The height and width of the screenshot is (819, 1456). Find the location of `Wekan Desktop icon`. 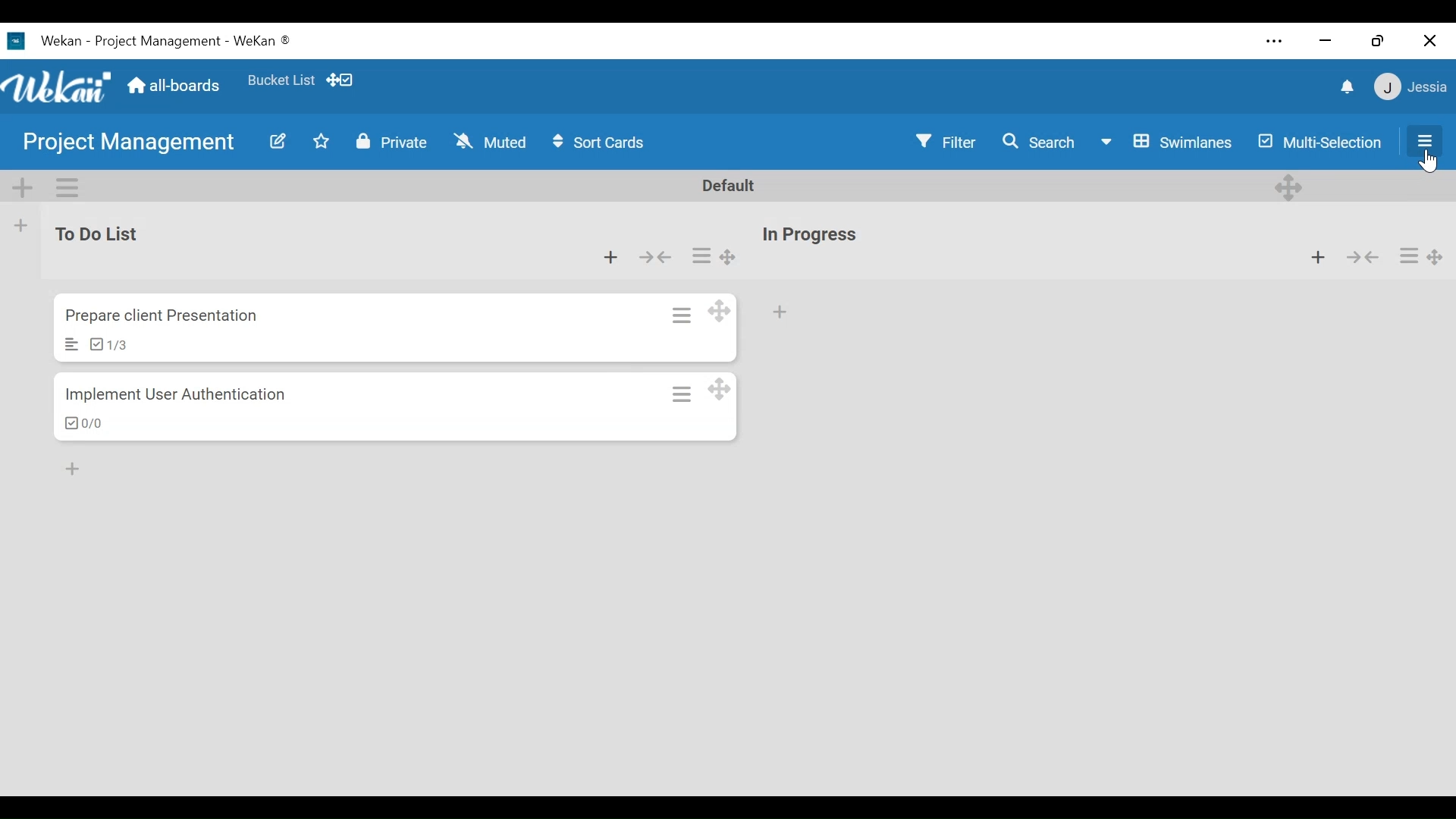

Wekan Desktop icon is located at coordinates (157, 42).